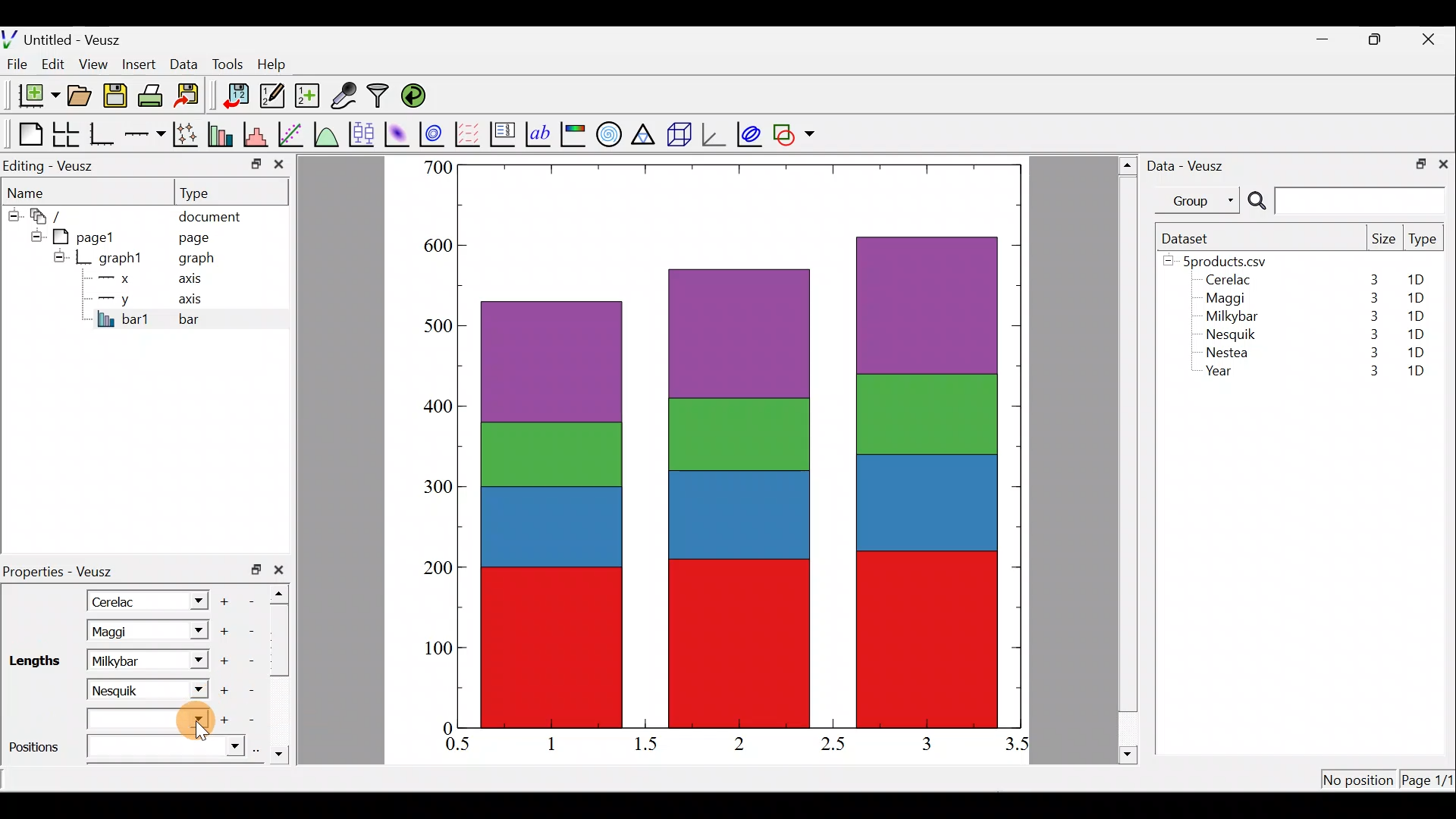 The width and height of the screenshot is (1456, 819). What do you see at coordinates (925, 743) in the screenshot?
I see `3` at bounding box center [925, 743].